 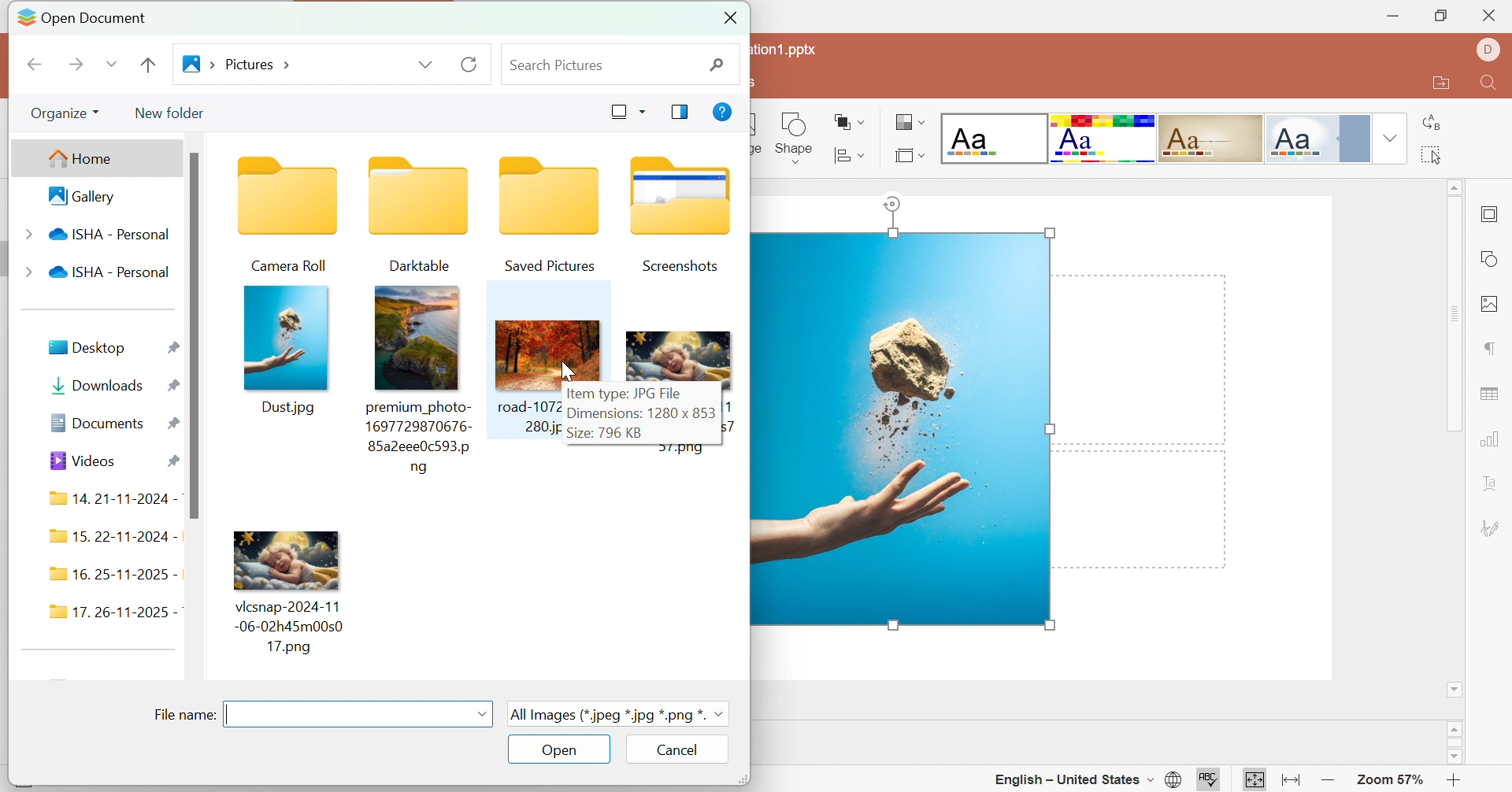 What do you see at coordinates (109, 270) in the screenshot?
I see `ISHA Personal` at bounding box center [109, 270].